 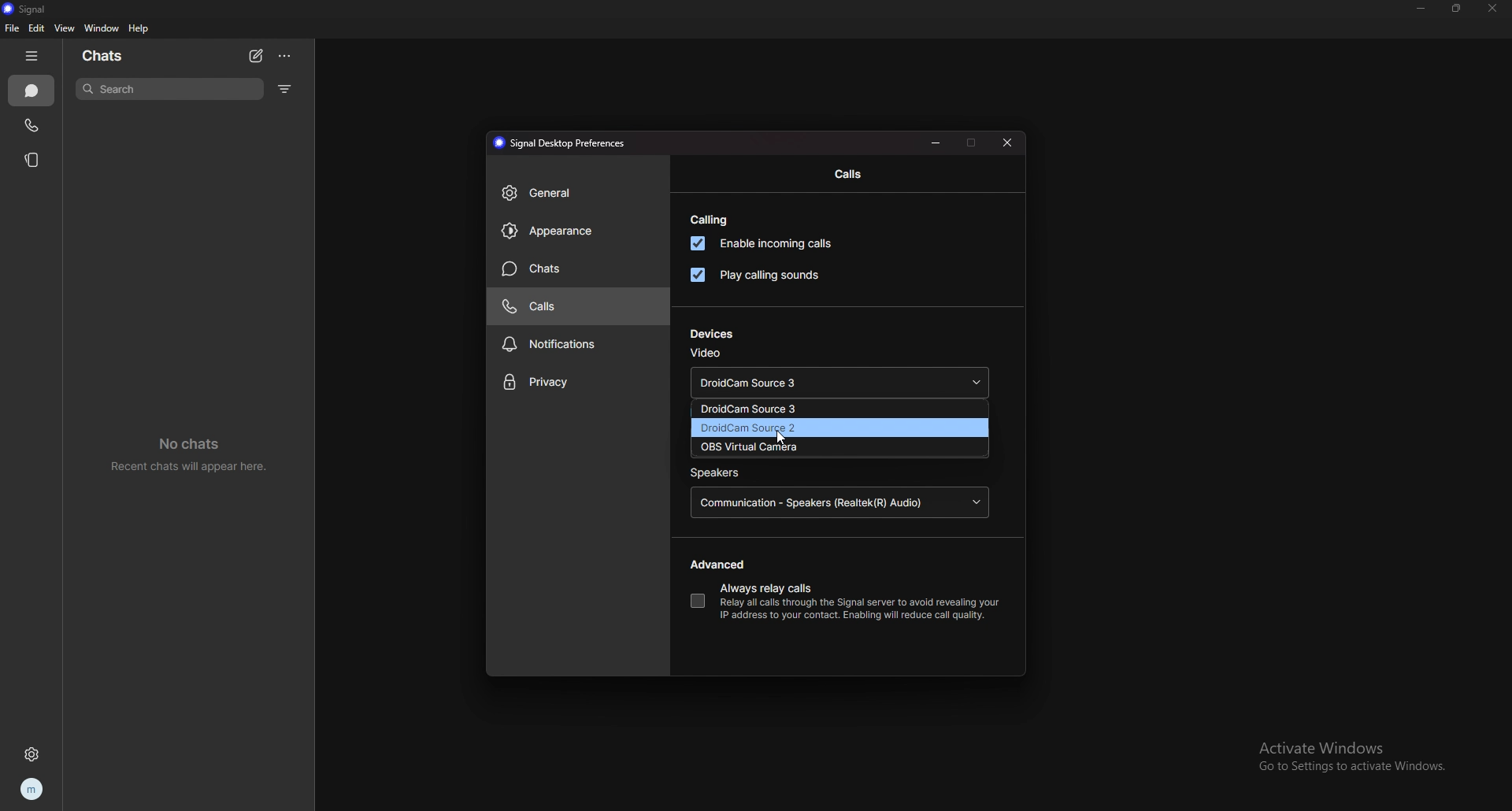 What do you see at coordinates (11, 28) in the screenshot?
I see `file` at bounding box center [11, 28].